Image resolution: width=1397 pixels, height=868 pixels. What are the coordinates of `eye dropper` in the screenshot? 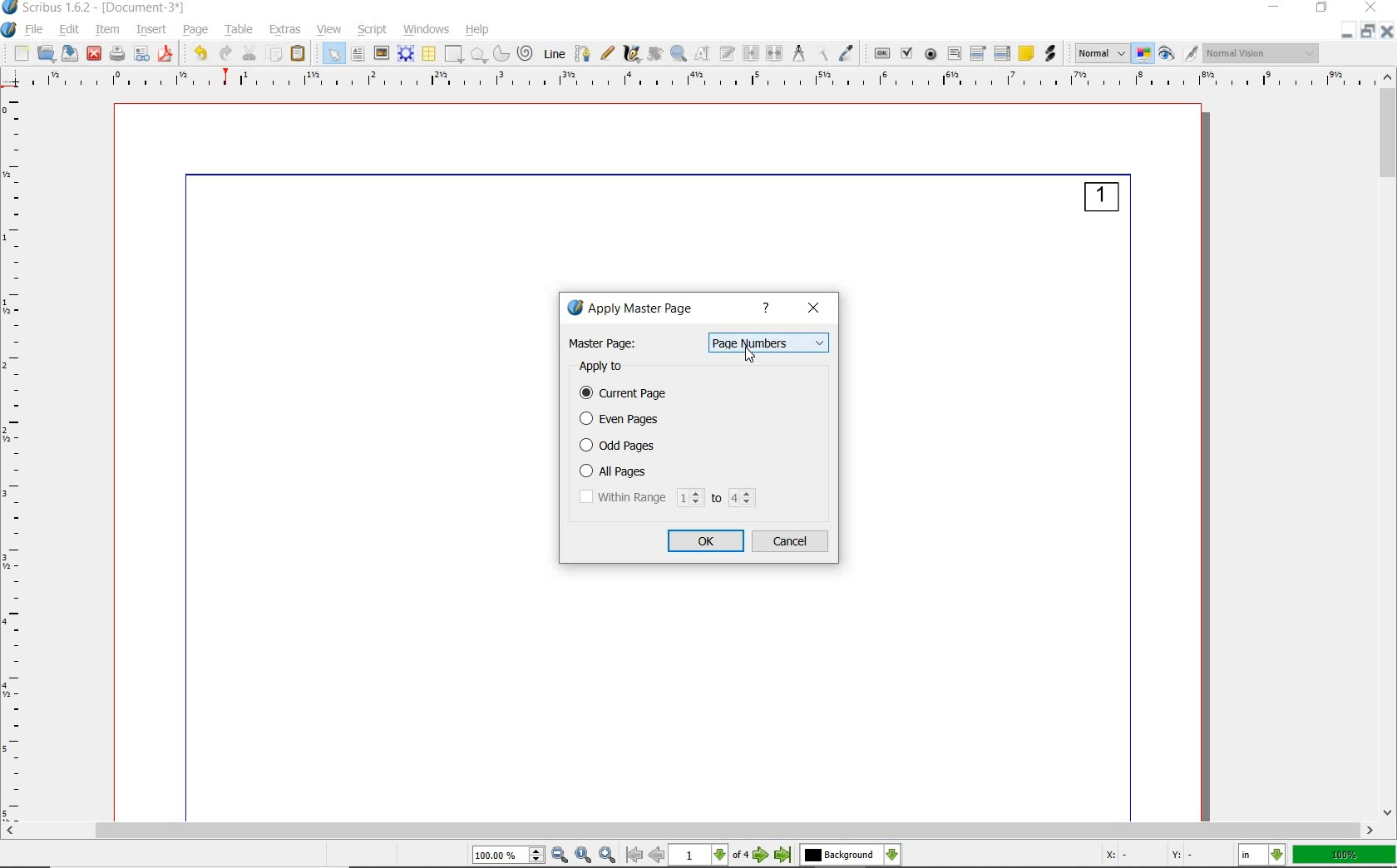 It's located at (848, 54).